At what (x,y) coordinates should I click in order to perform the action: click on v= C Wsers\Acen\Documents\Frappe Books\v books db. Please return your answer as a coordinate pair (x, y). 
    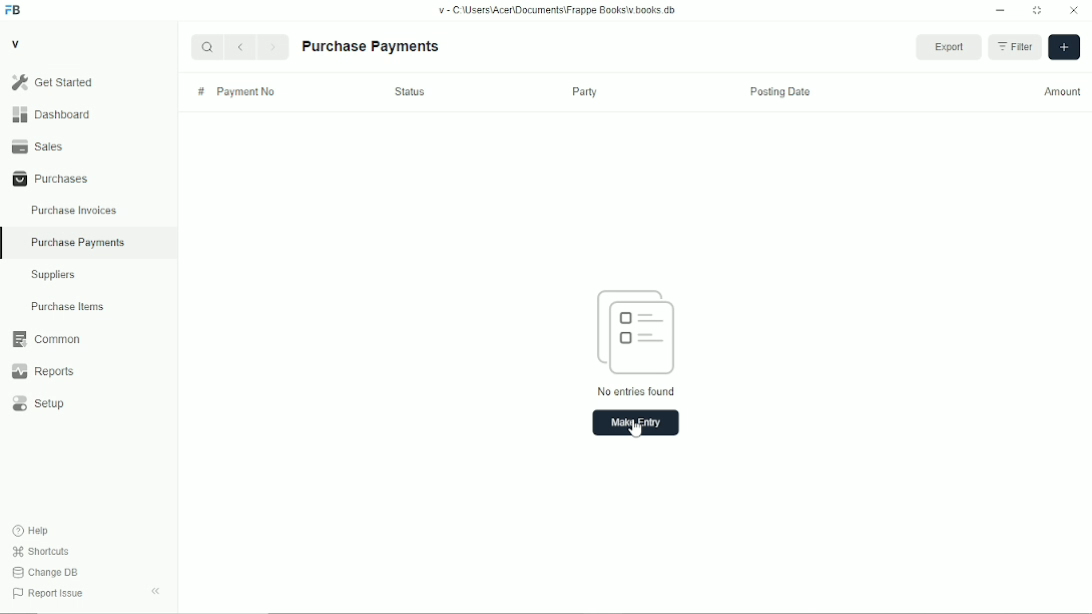
    Looking at the image, I should click on (558, 10).